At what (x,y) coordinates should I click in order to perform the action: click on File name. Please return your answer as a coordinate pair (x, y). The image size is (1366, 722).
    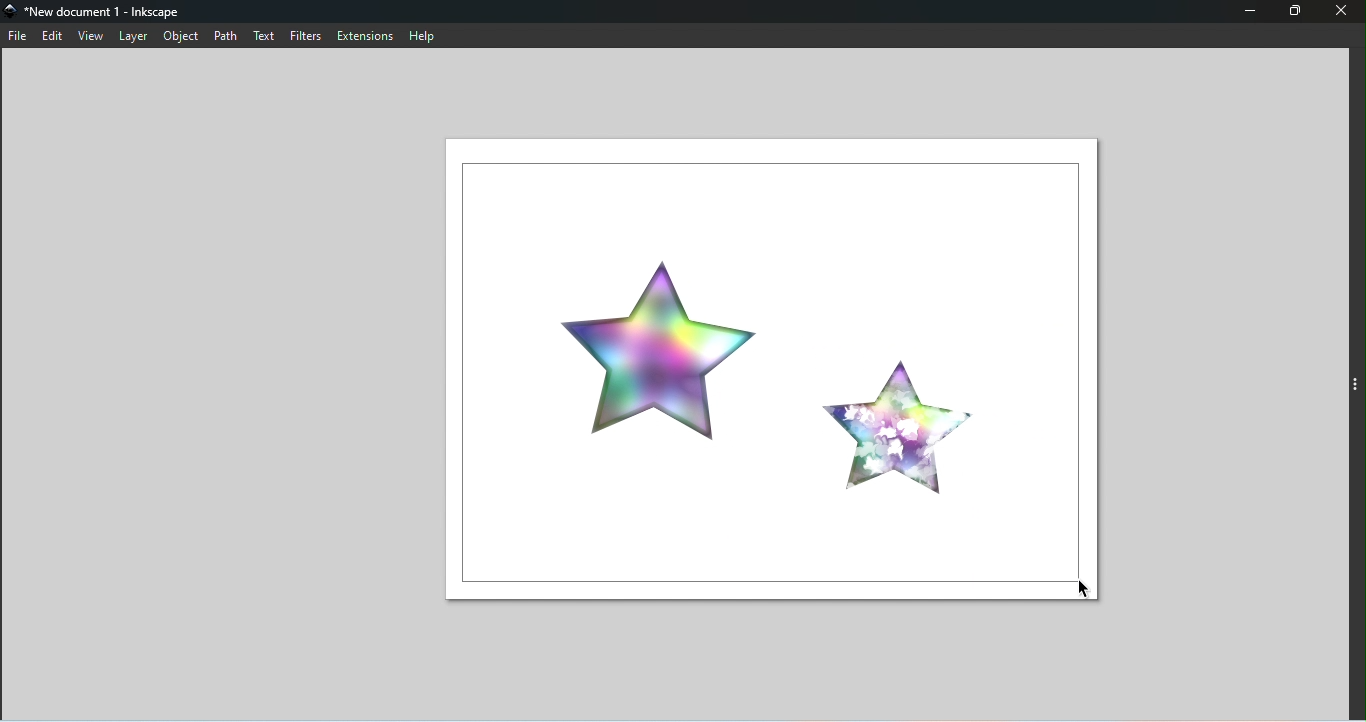
    Looking at the image, I should click on (103, 12).